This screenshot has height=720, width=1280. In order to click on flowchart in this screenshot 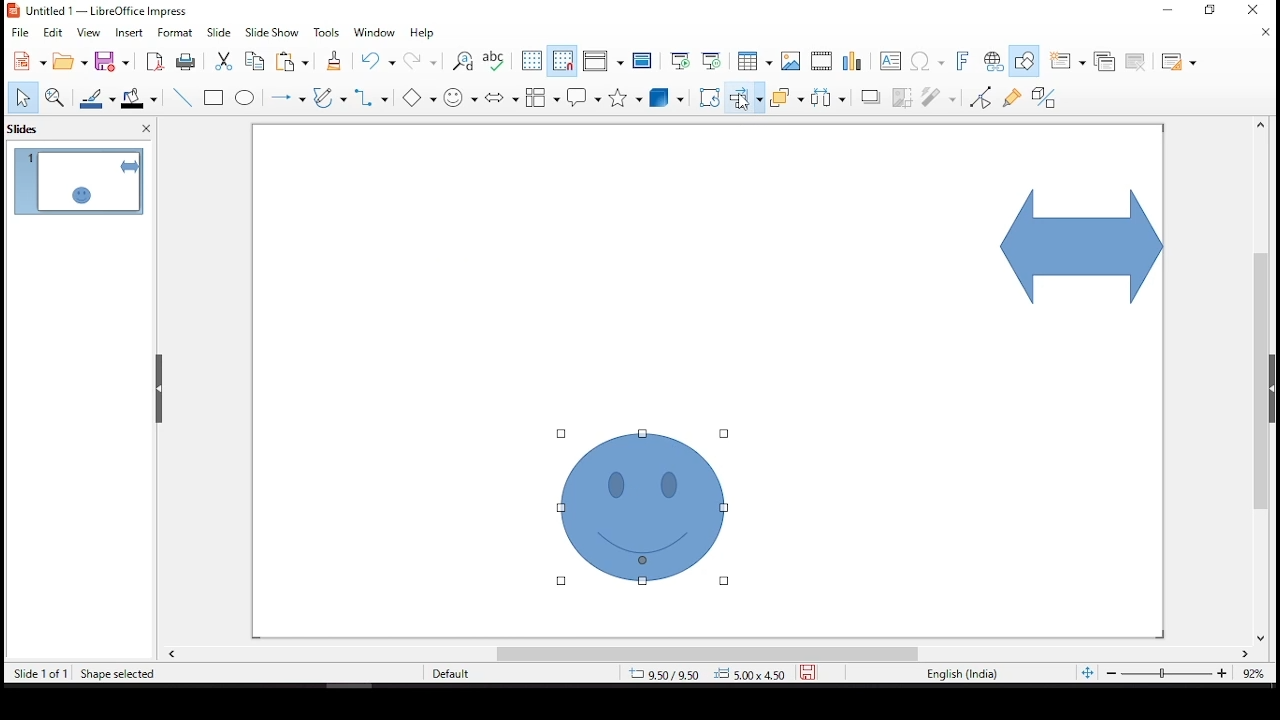, I will do `click(541, 94)`.